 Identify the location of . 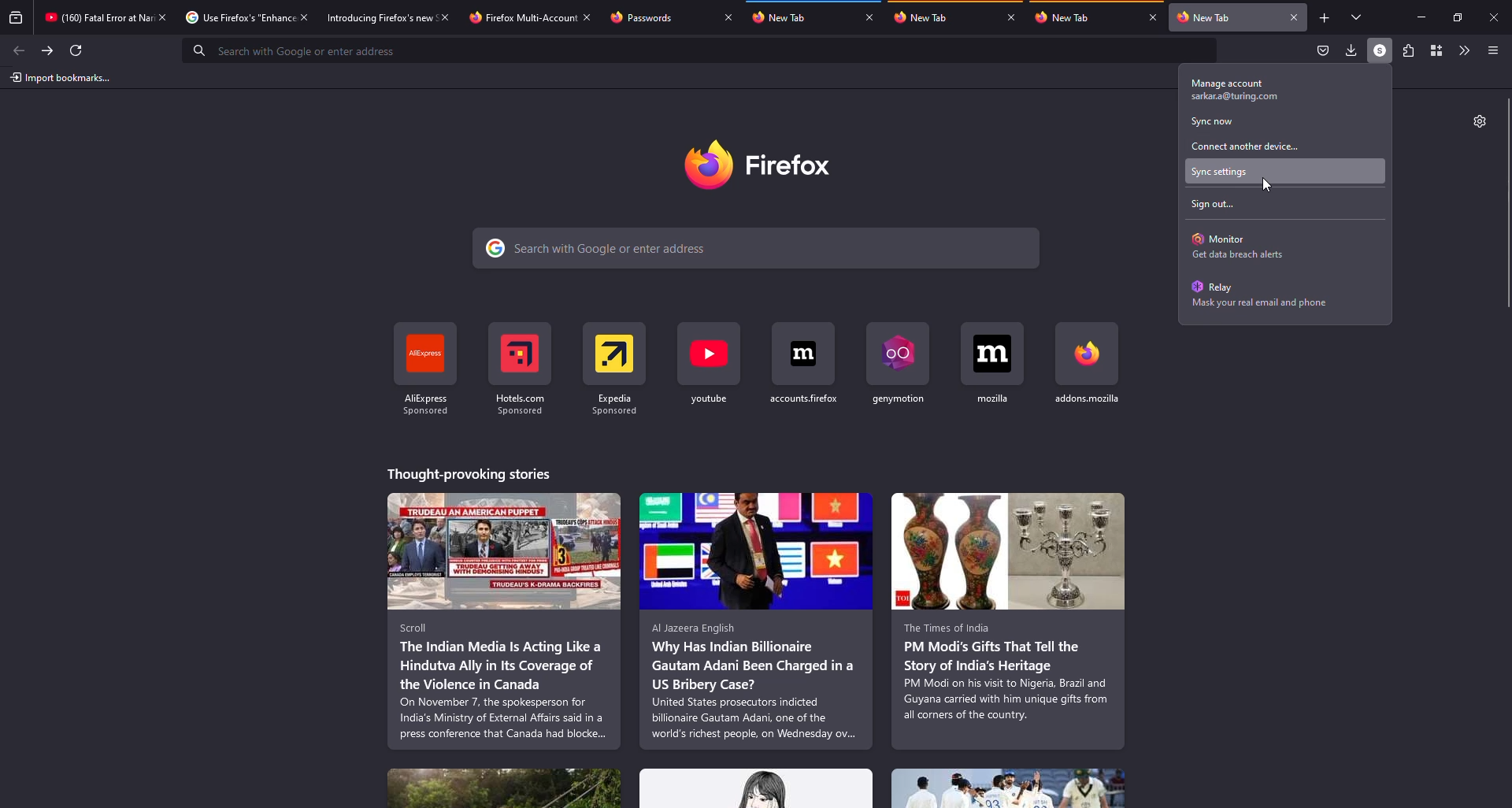
(17, 51).